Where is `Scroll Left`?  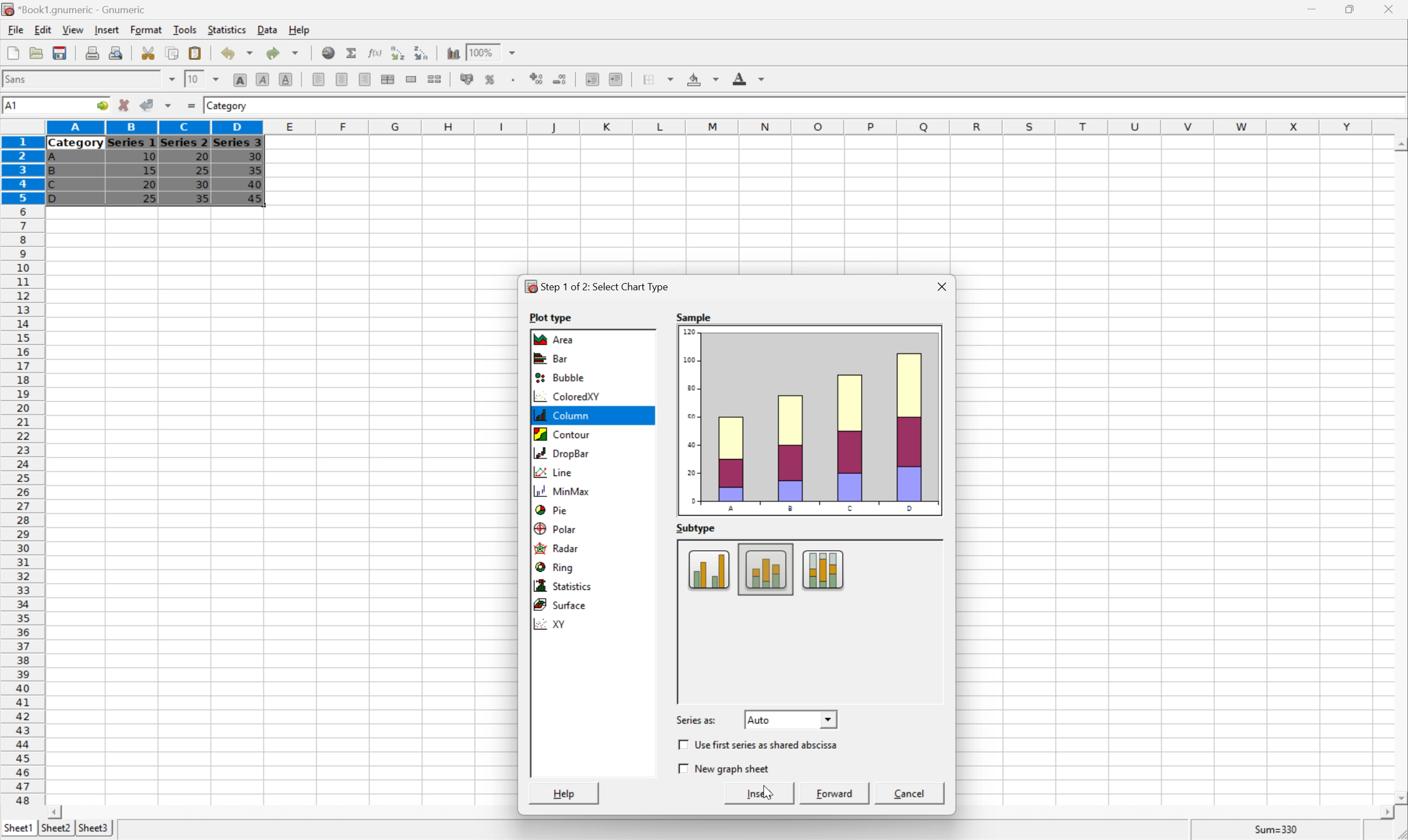 Scroll Left is located at coordinates (57, 812).